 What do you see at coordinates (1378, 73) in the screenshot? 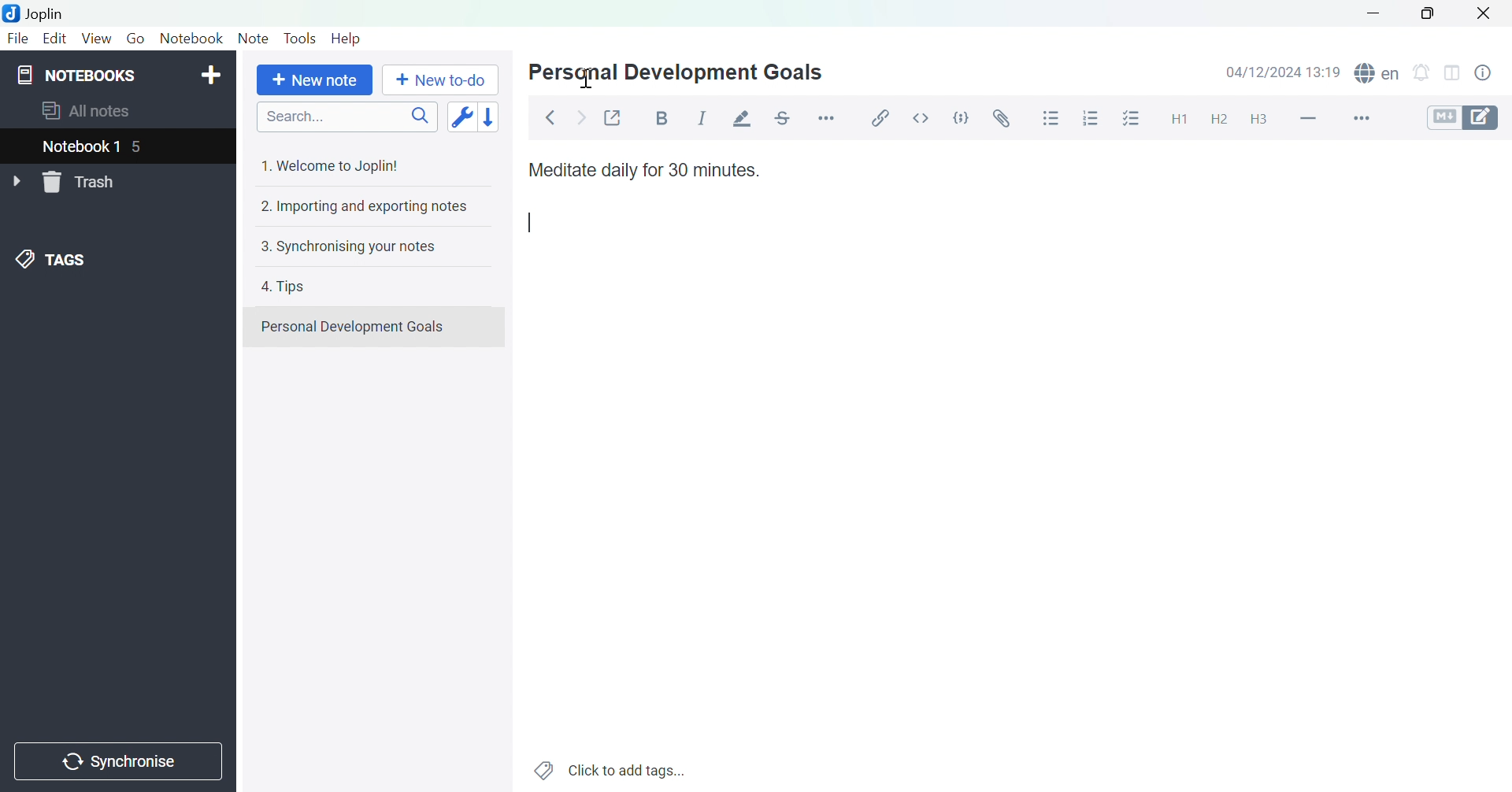
I see `spell checker` at bounding box center [1378, 73].